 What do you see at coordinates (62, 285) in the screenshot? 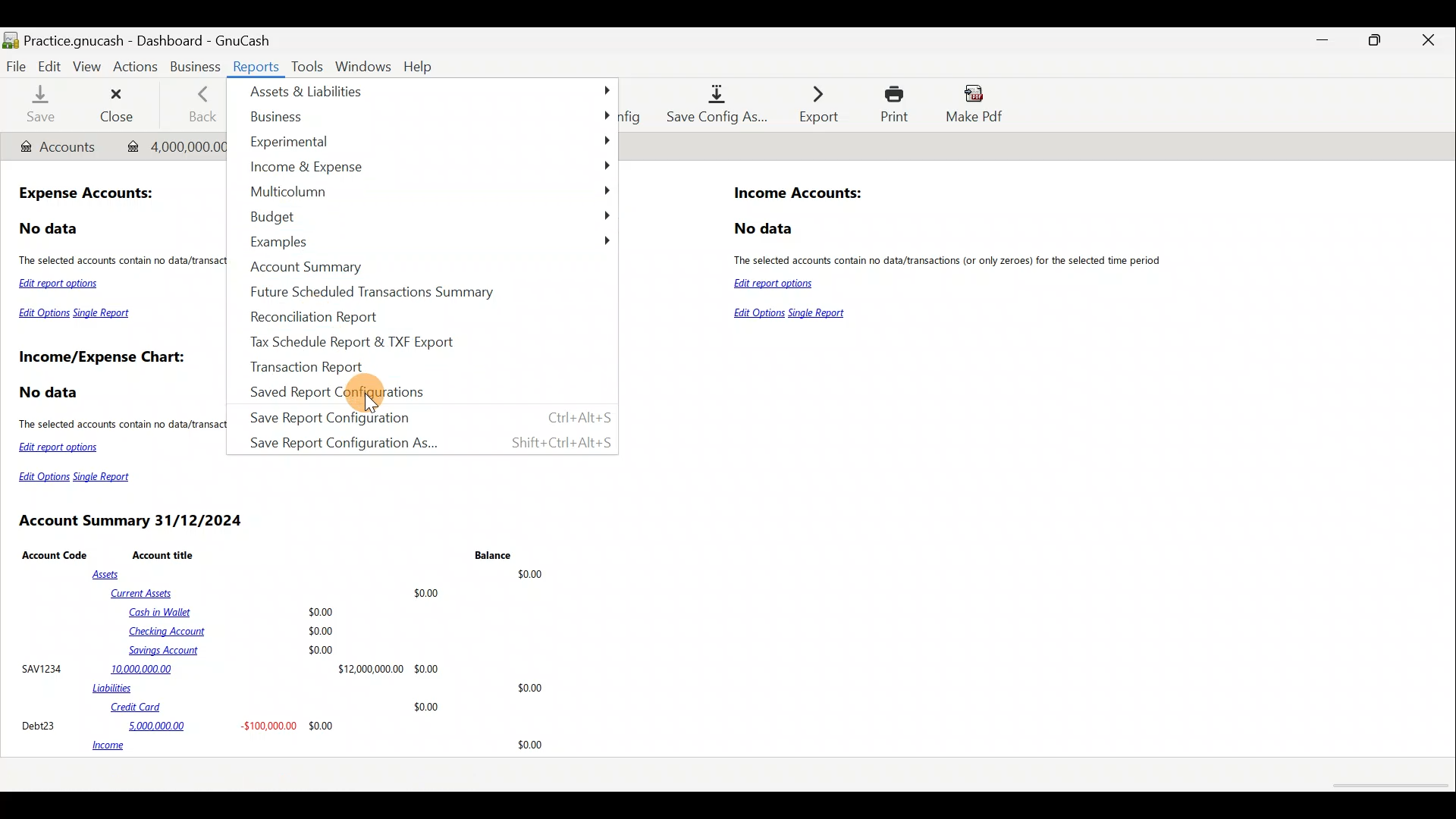
I see `Edit report options` at bounding box center [62, 285].